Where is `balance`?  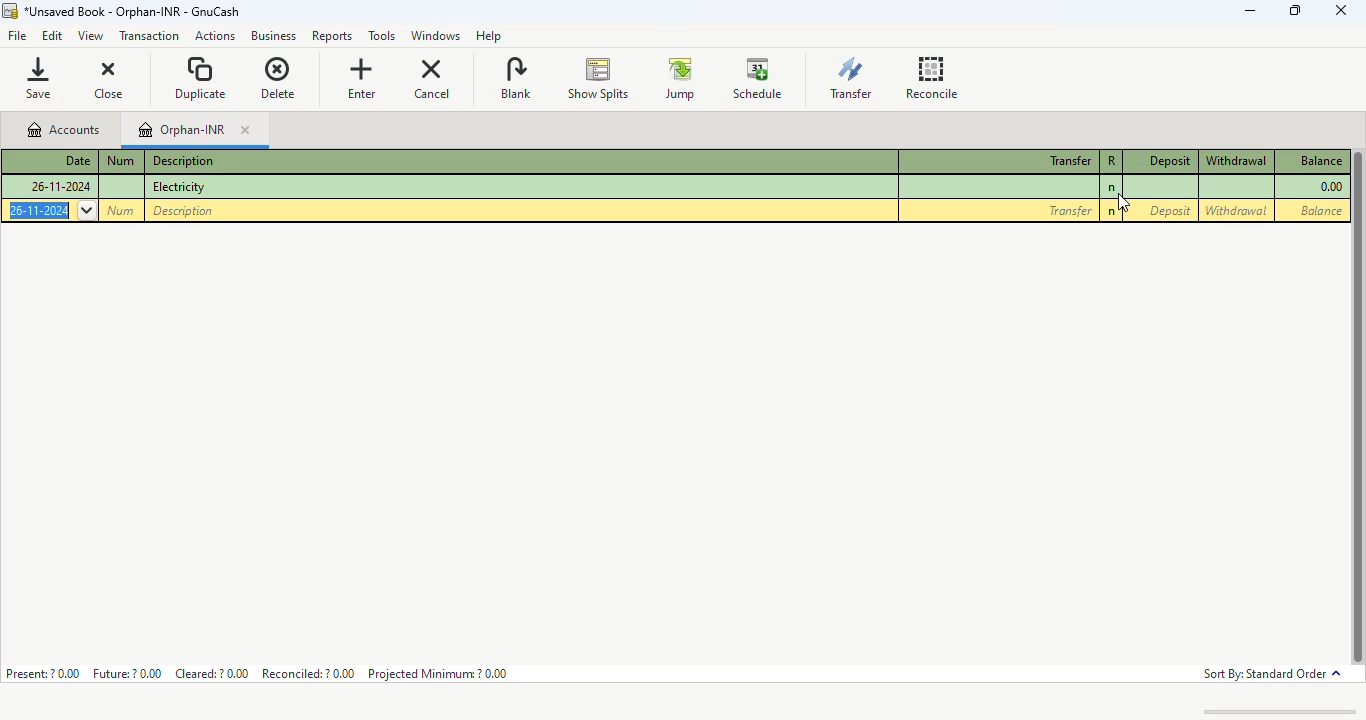 balance is located at coordinates (1317, 211).